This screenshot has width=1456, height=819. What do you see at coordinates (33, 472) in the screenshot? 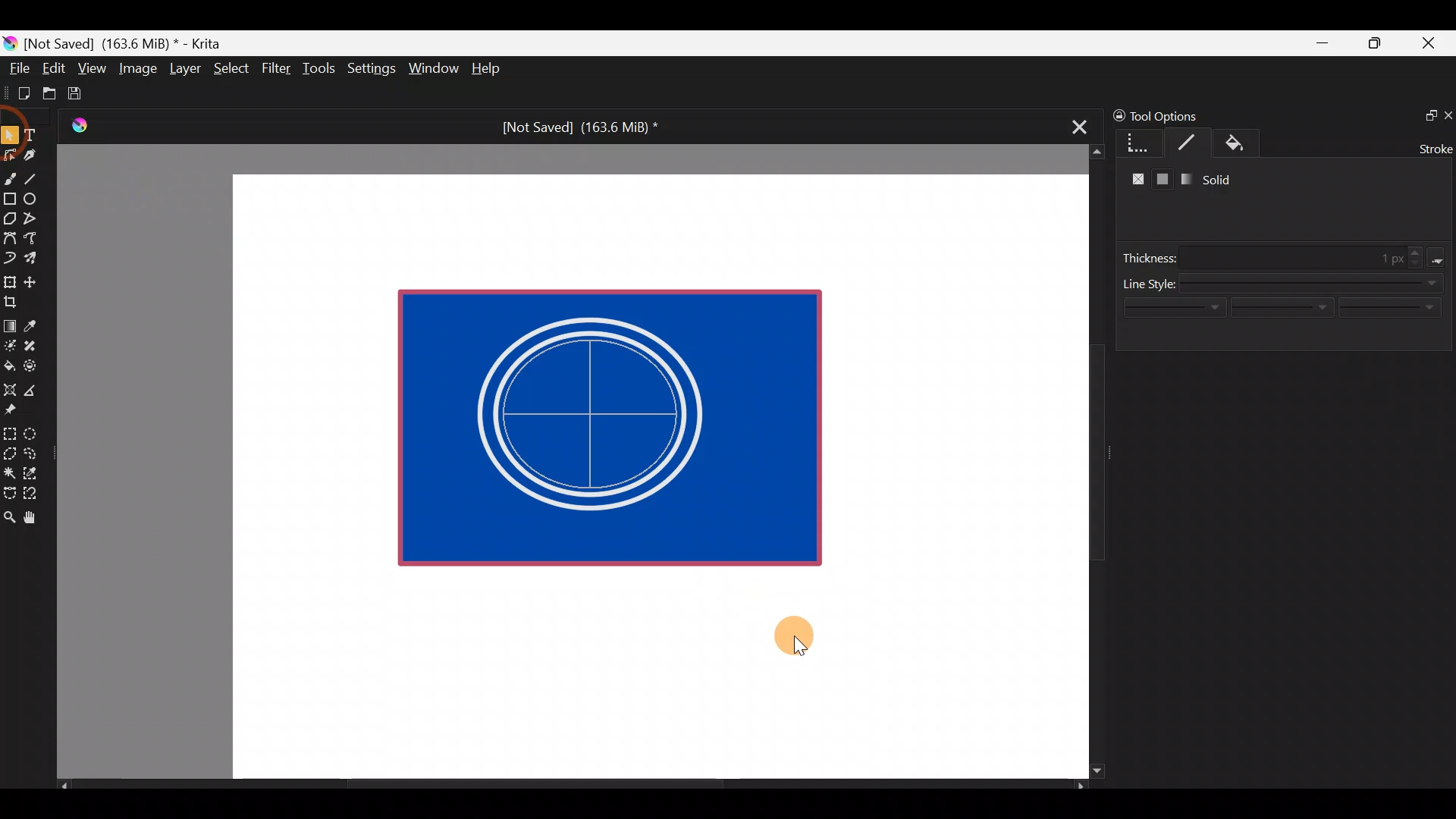
I see `Similar color selection tool` at bounding box center [33, 472].